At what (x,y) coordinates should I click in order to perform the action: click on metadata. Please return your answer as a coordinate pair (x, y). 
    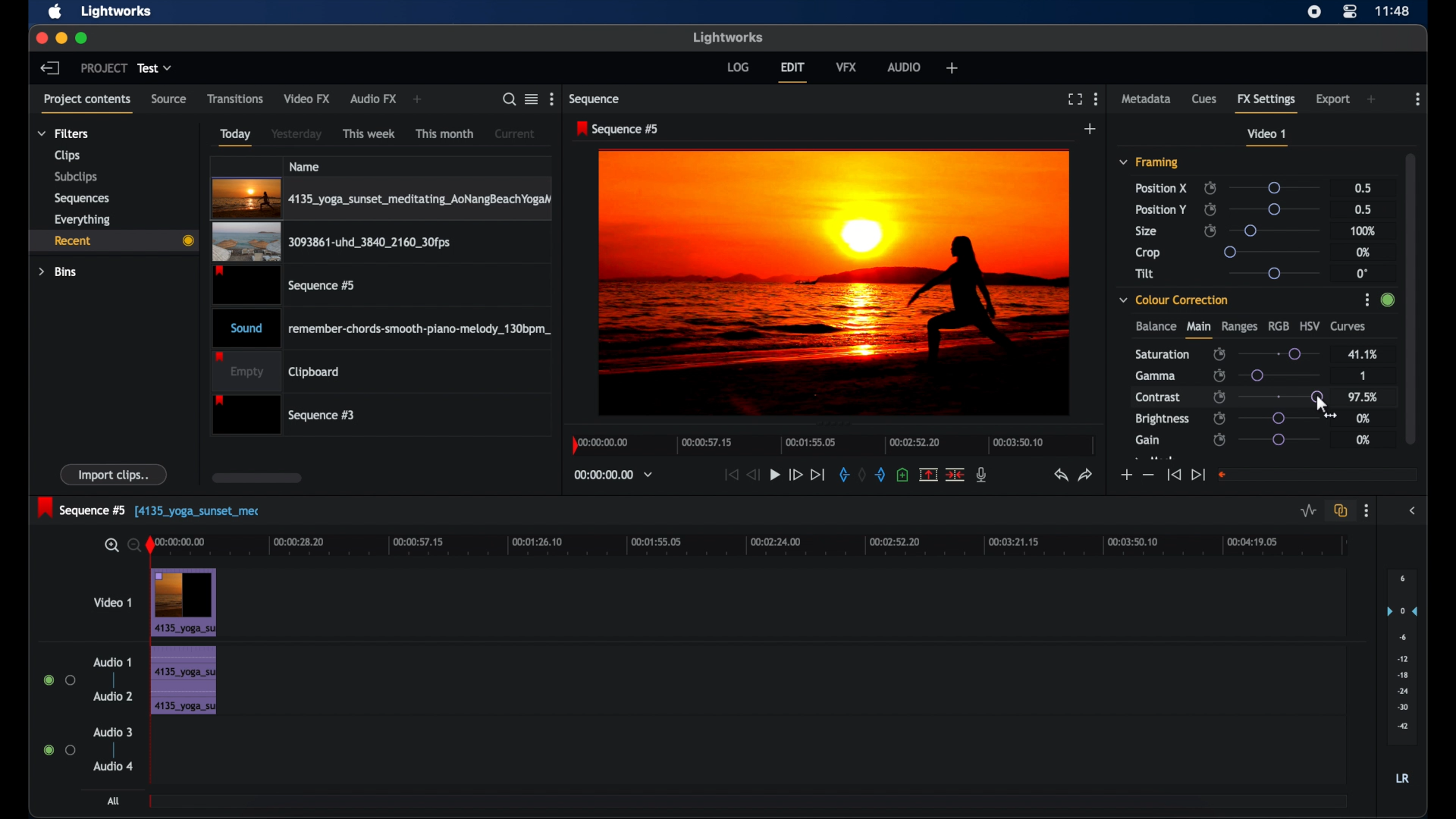
    Looking at the image, I should click on (1147, 99).